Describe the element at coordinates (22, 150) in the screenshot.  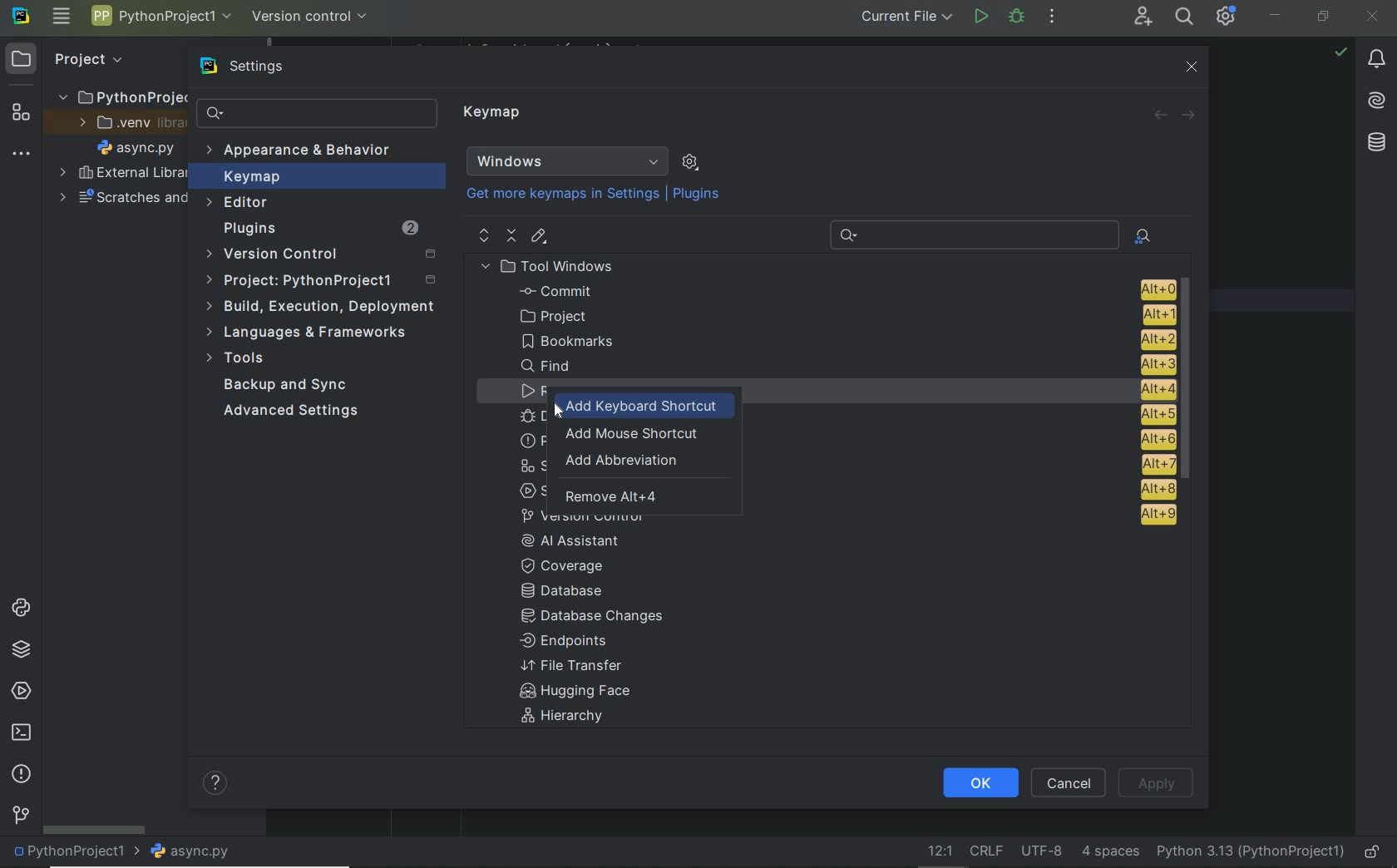
I see `More tool windows` at that location.